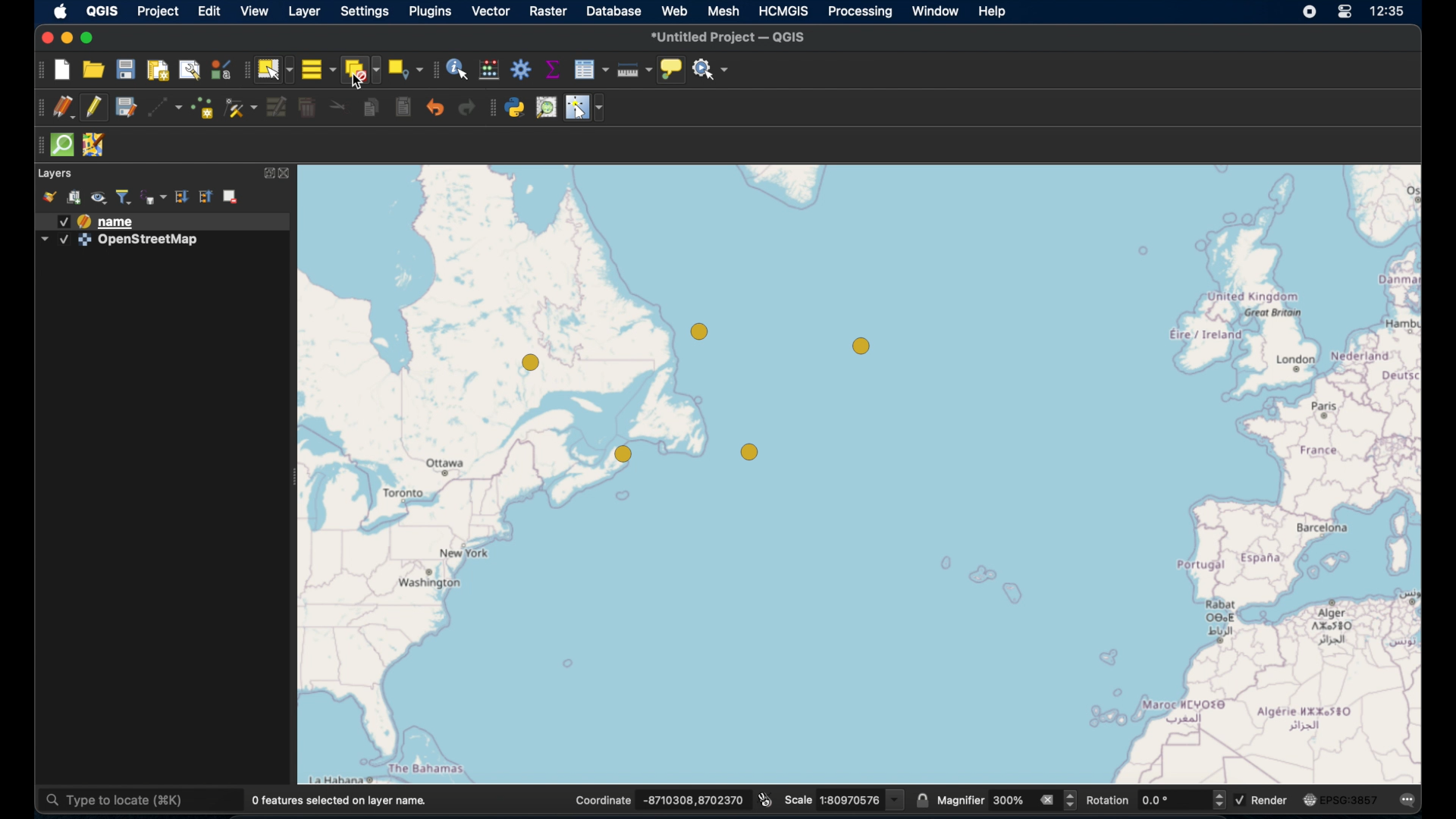 The image size is (1456, 819). What do you see at coordinates (278, 108) in the screenshot?
I see `modify attributes` at bounding box center [278, 108].